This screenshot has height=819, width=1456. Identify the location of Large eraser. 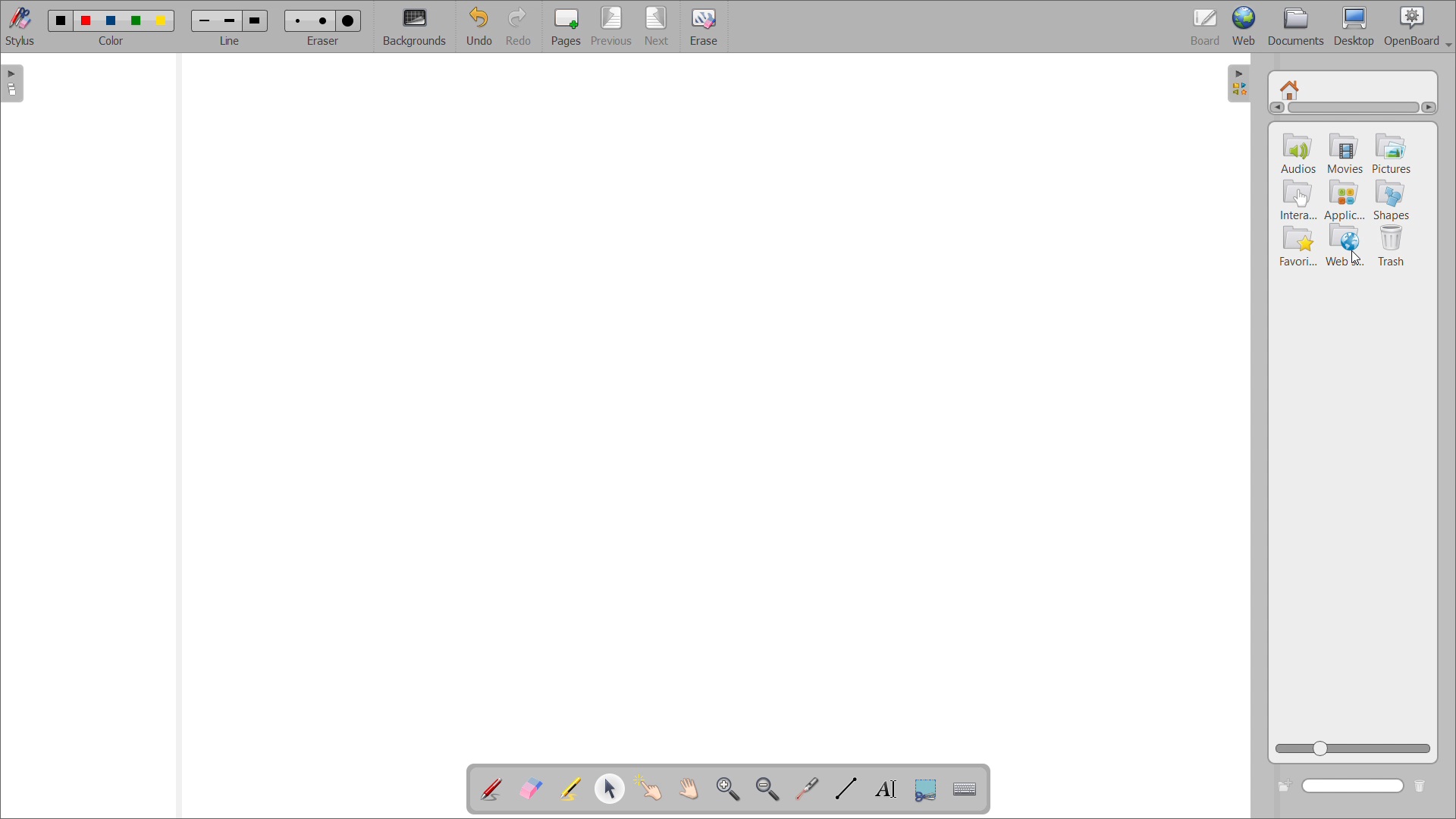
(351, 18).